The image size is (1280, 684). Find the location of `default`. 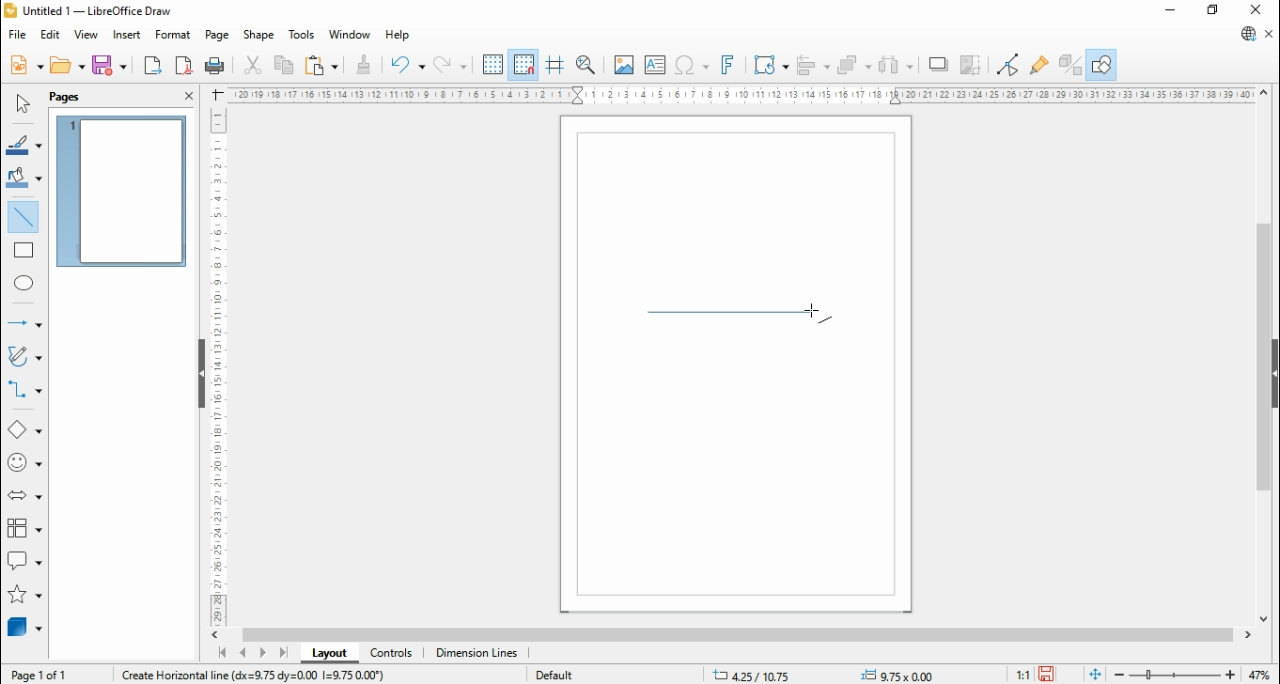

default is located at coordinates (555, 675).